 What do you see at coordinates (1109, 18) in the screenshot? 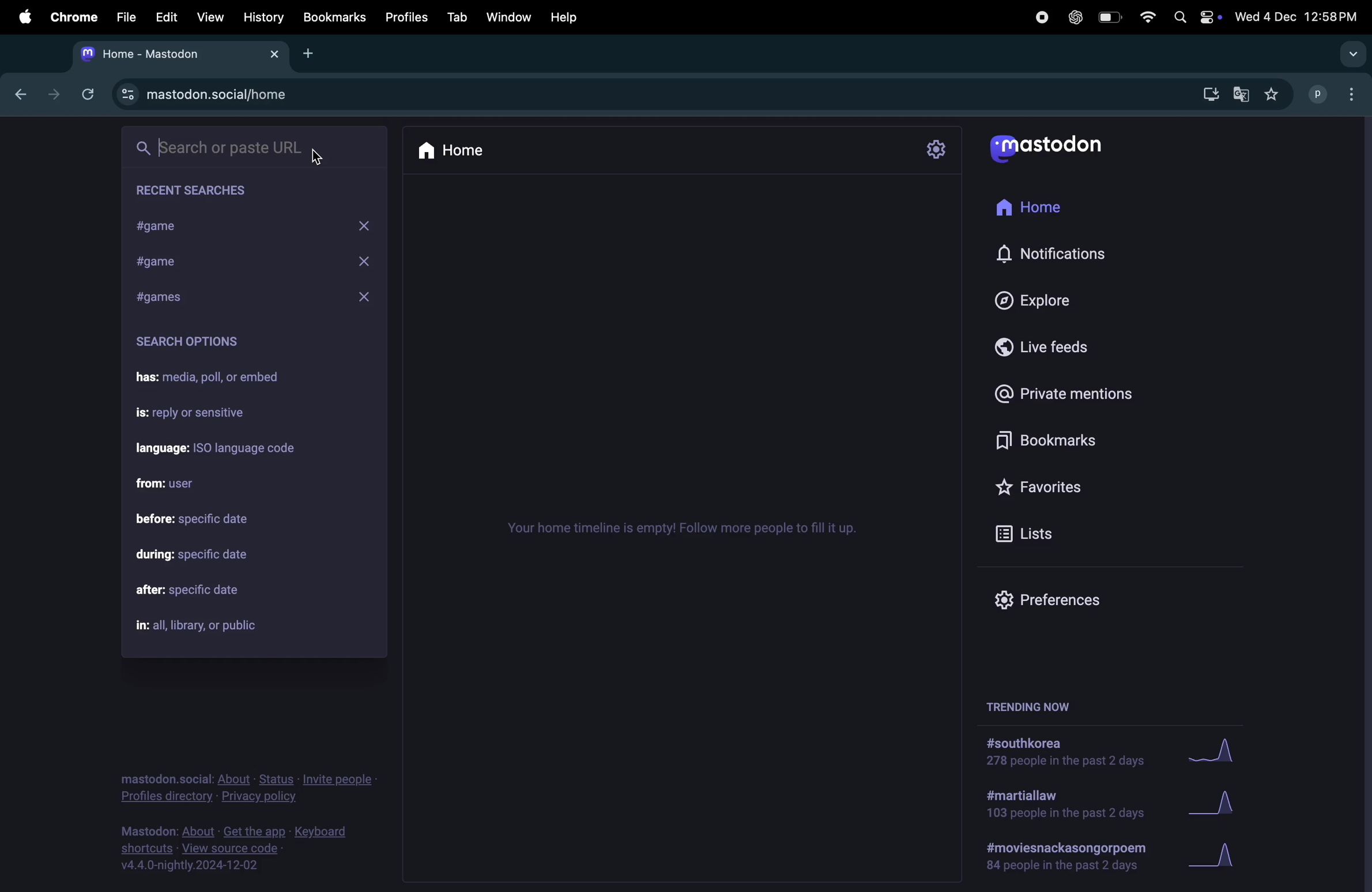
I see `battery` at bounding box center [1109, 18].